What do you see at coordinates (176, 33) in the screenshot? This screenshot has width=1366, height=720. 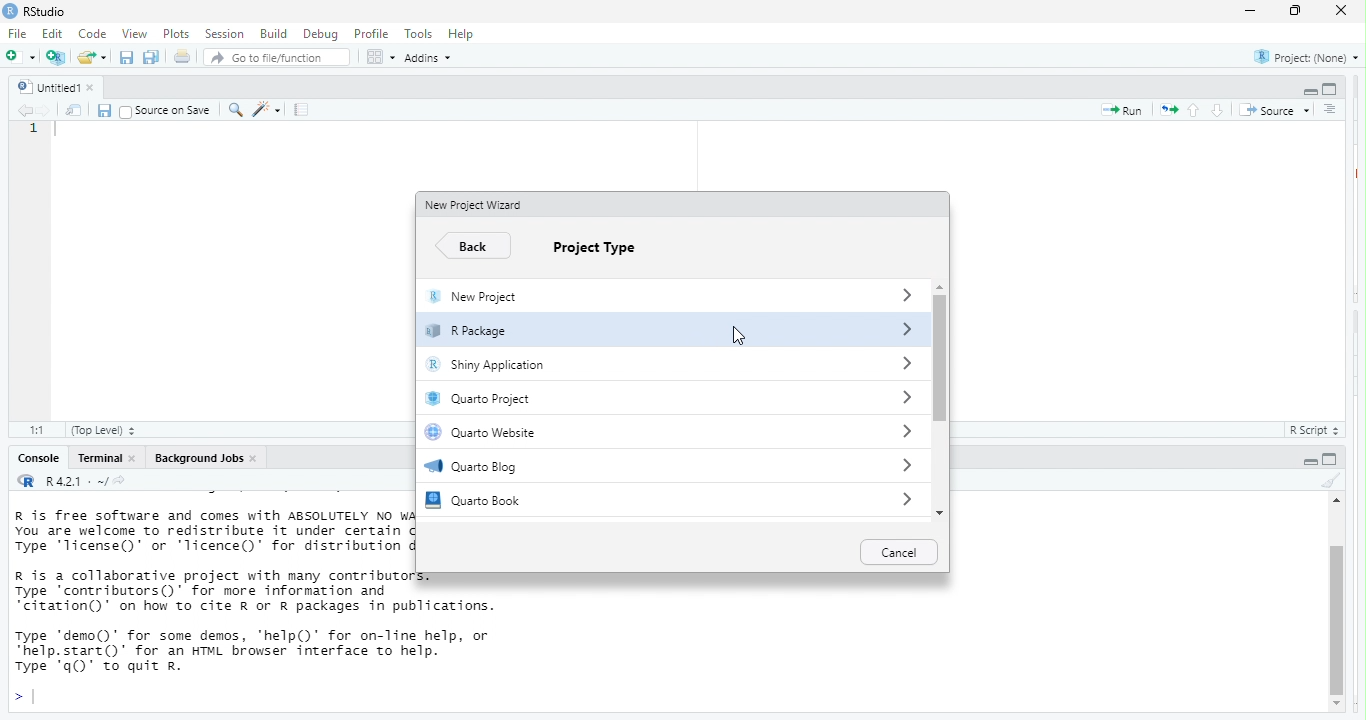 I see `Plots` at bounding box center [176, 33].